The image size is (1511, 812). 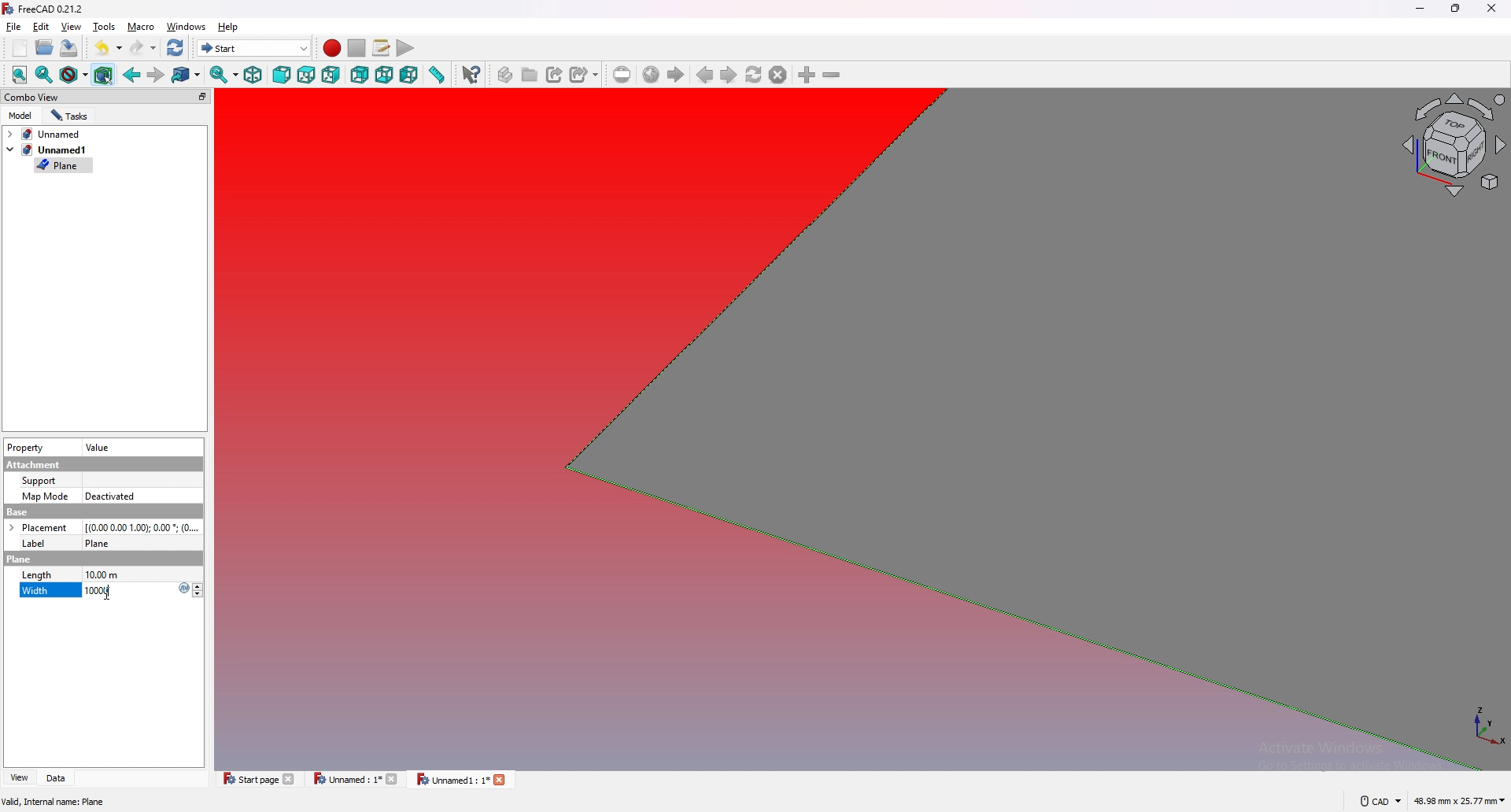 I want to click on refresh webpage, so click(x=754, y=74).